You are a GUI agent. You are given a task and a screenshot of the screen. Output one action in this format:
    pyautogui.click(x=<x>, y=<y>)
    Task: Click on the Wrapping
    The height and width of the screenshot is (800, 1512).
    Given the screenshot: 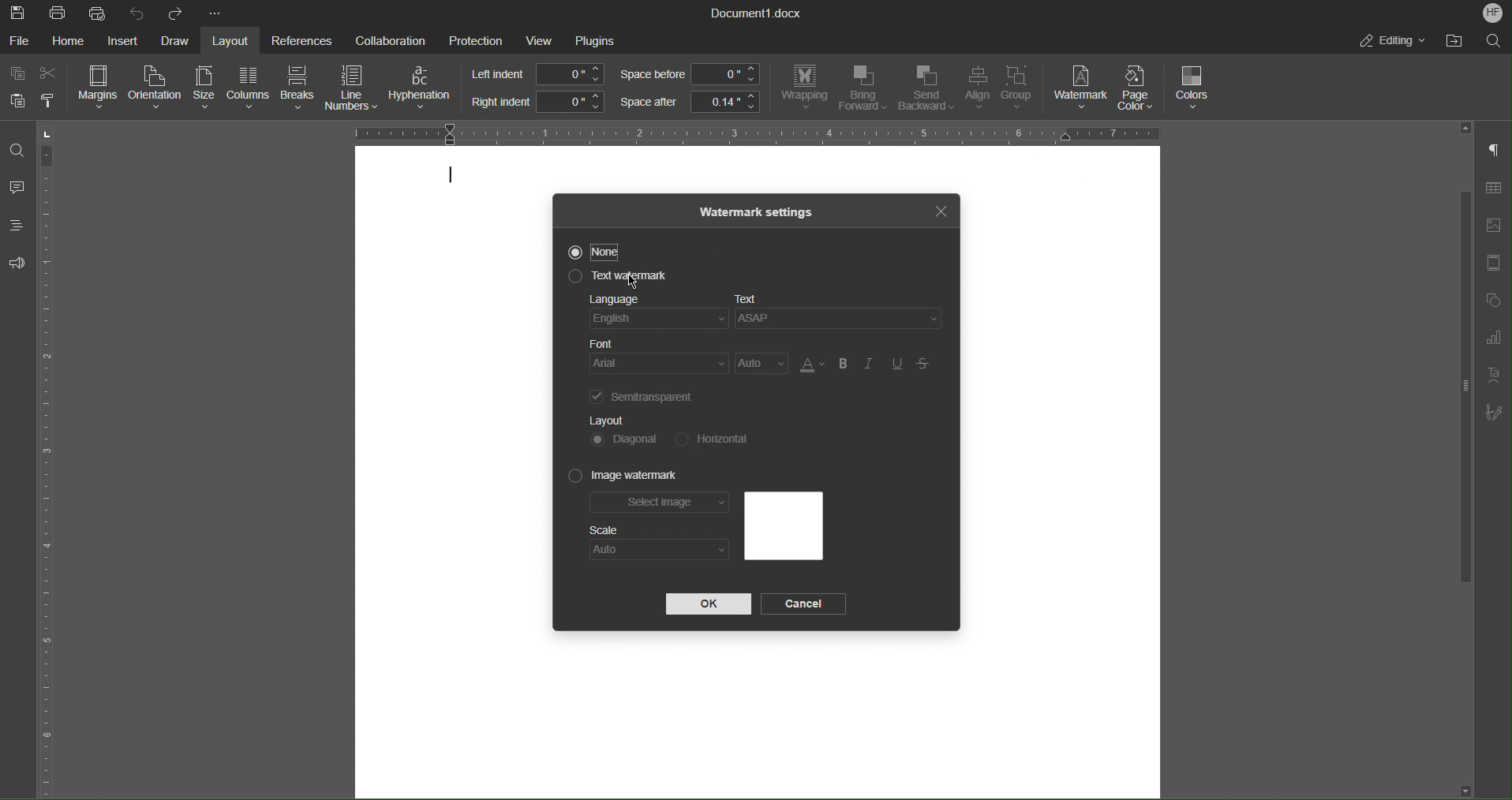 What is the action you would take?
    pyautogui.click(x=804, y=88)
    